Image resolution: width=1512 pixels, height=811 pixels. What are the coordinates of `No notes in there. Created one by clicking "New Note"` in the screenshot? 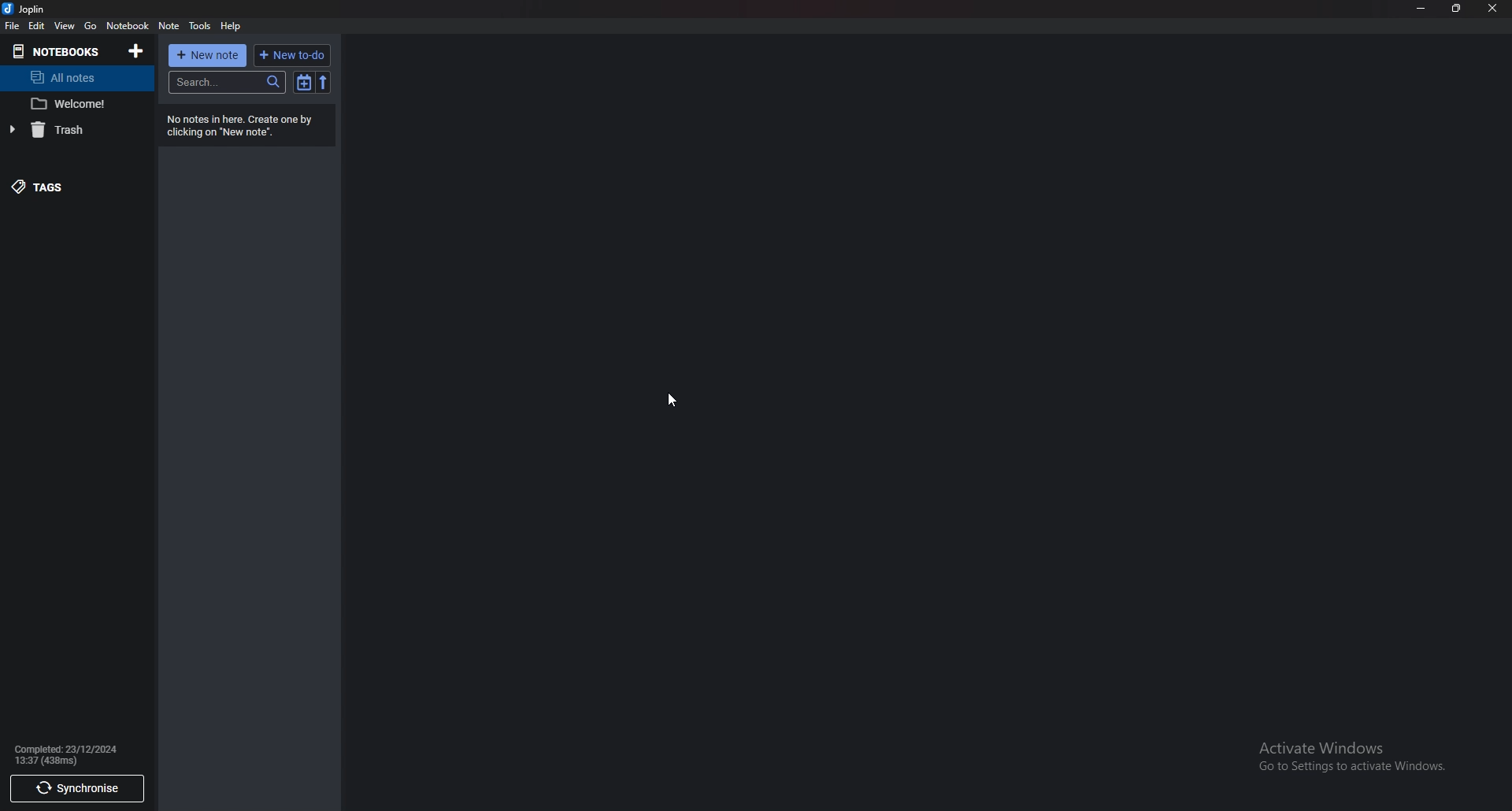 It's located at (246, 127).